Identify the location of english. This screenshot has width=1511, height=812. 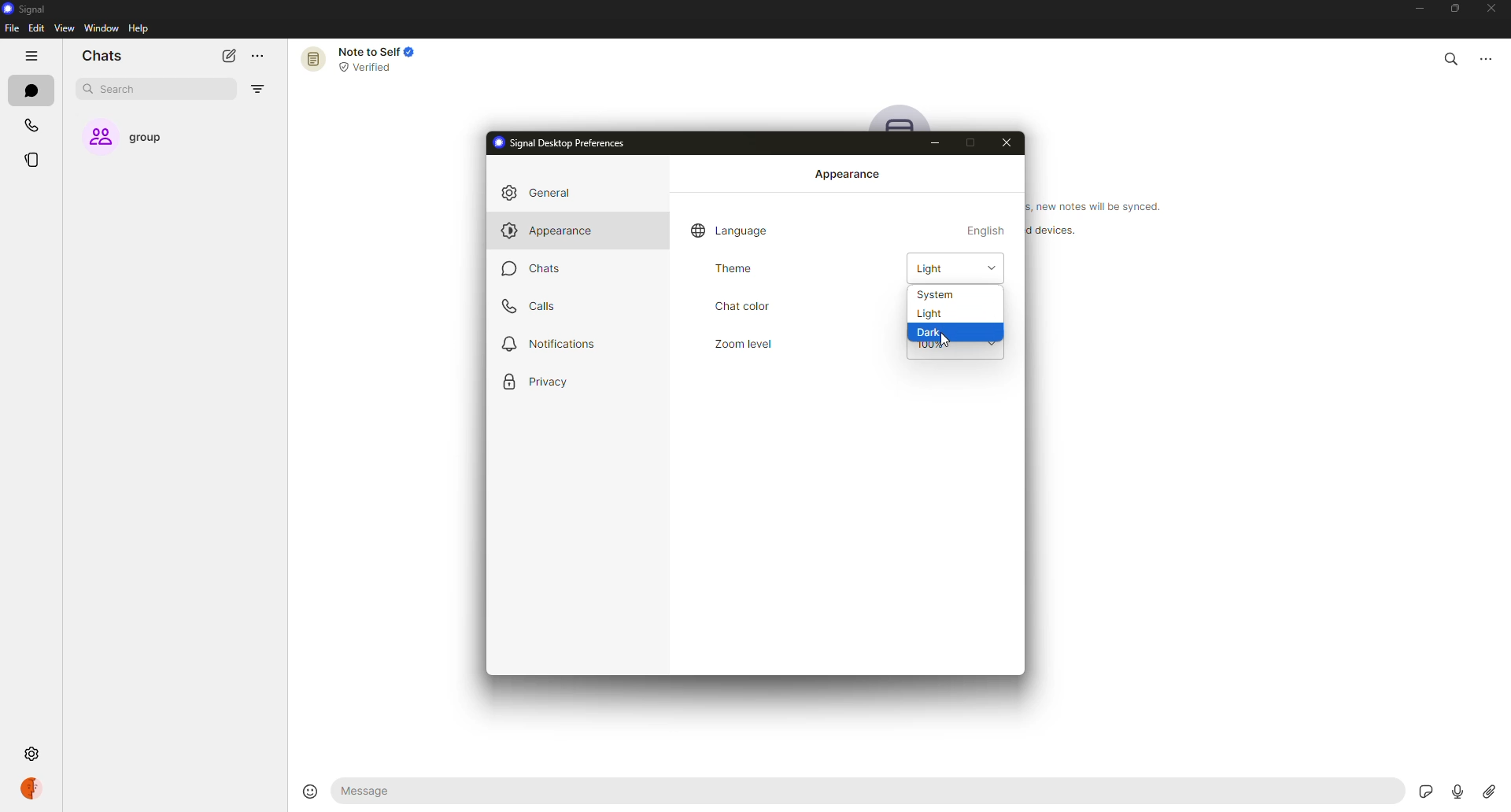
(987, 230).